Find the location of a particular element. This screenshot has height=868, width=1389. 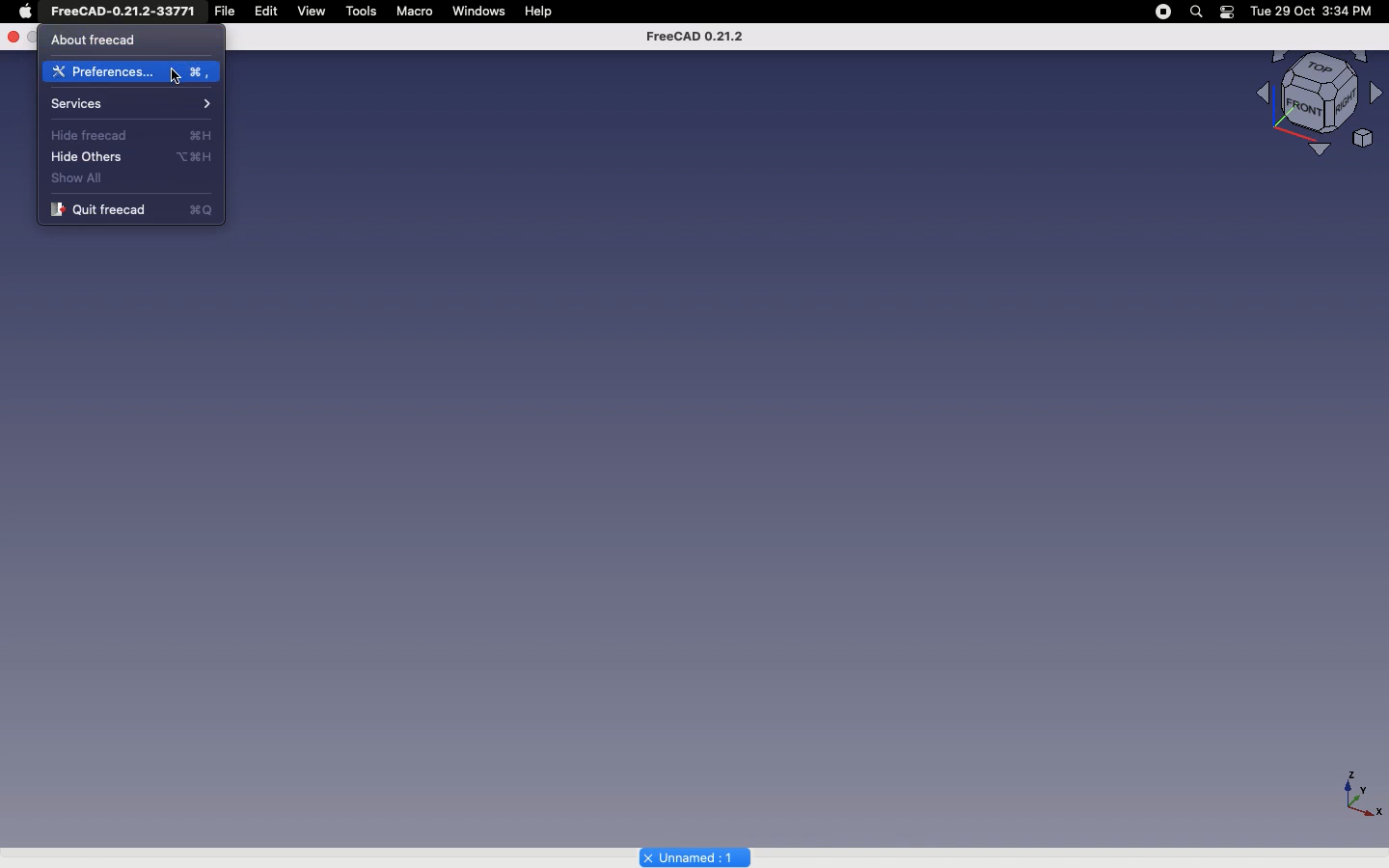

Hide freecad is located at coordinates (130, 134).